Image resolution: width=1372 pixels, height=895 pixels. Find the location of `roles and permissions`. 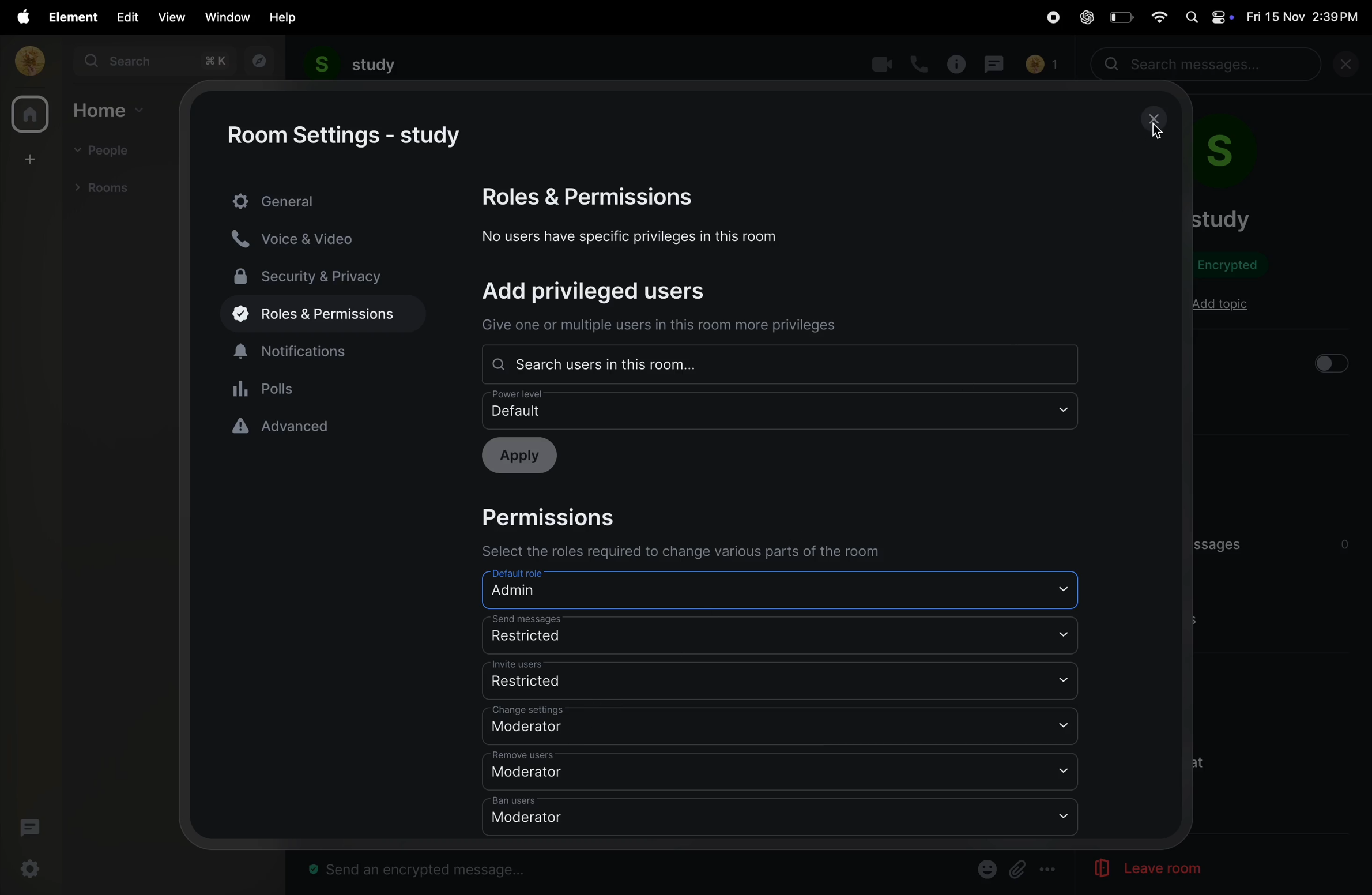

roles and permissions is located at coordinates (315, 315).